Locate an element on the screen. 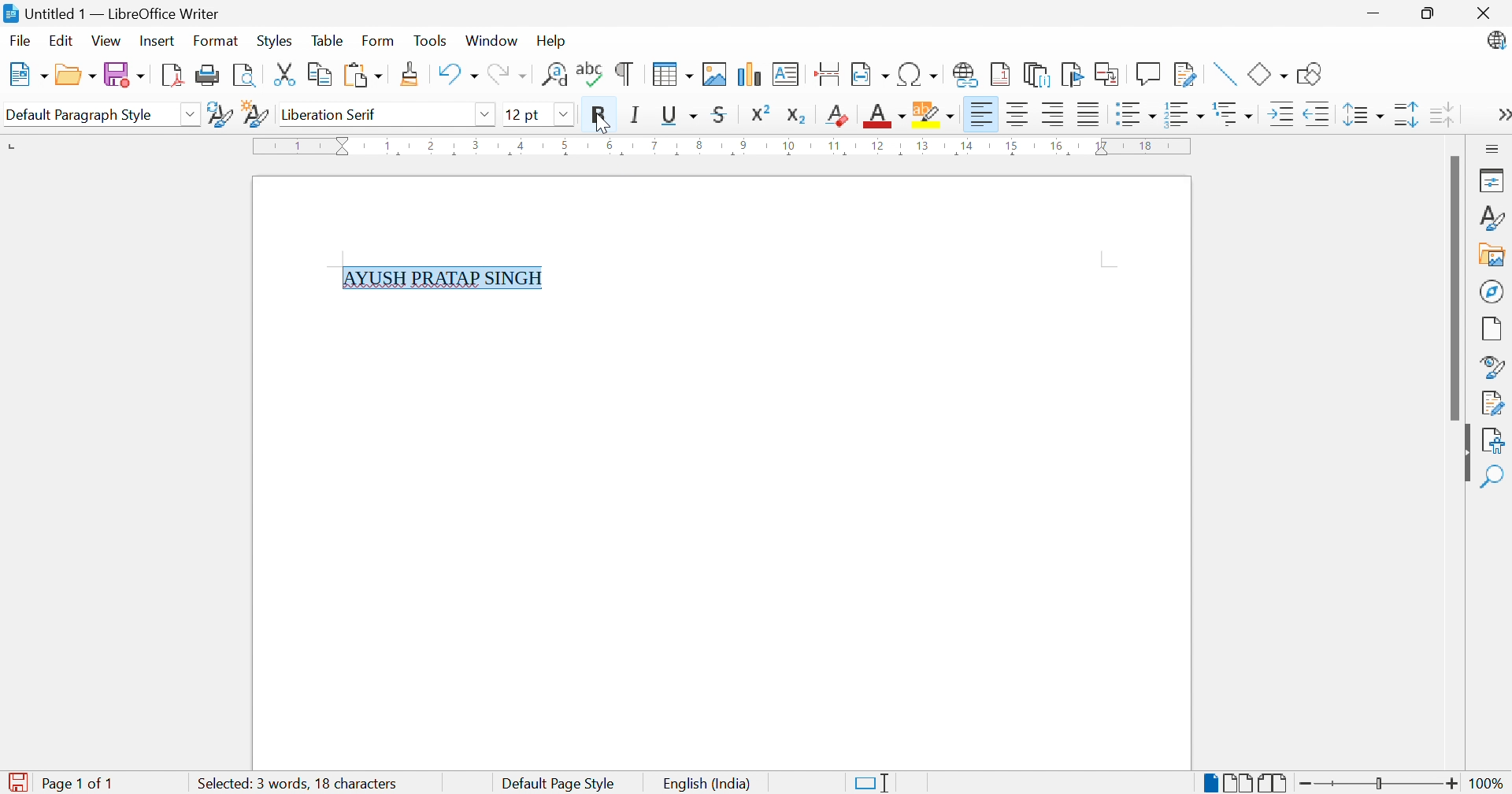 The height and width of the screenshot is (794, 1512). Accessibility Check is located at coordinates (1496, 440).